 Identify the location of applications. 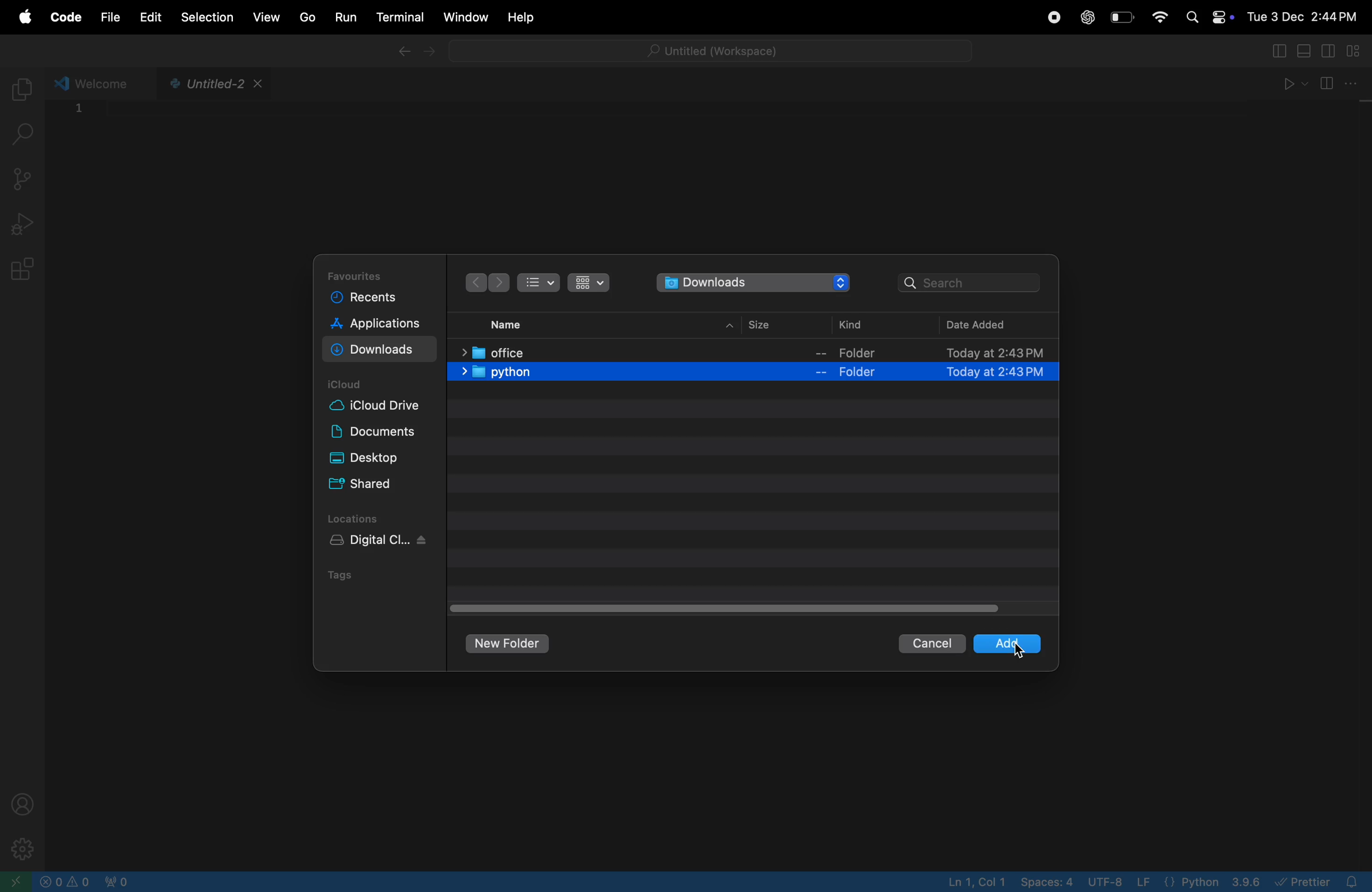
(383, 323).